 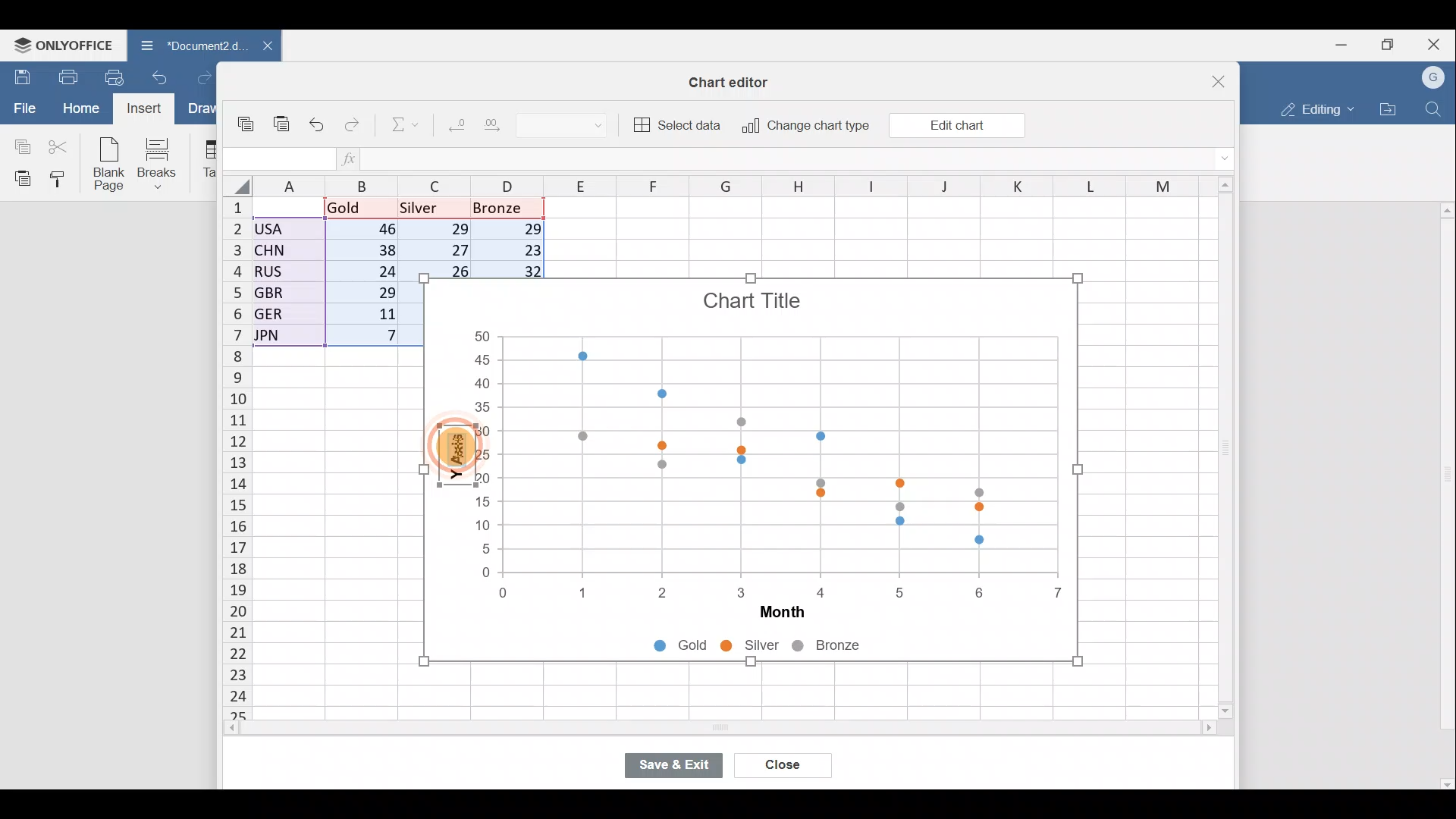 I want to click on Copy, so click(x=19, y=145).